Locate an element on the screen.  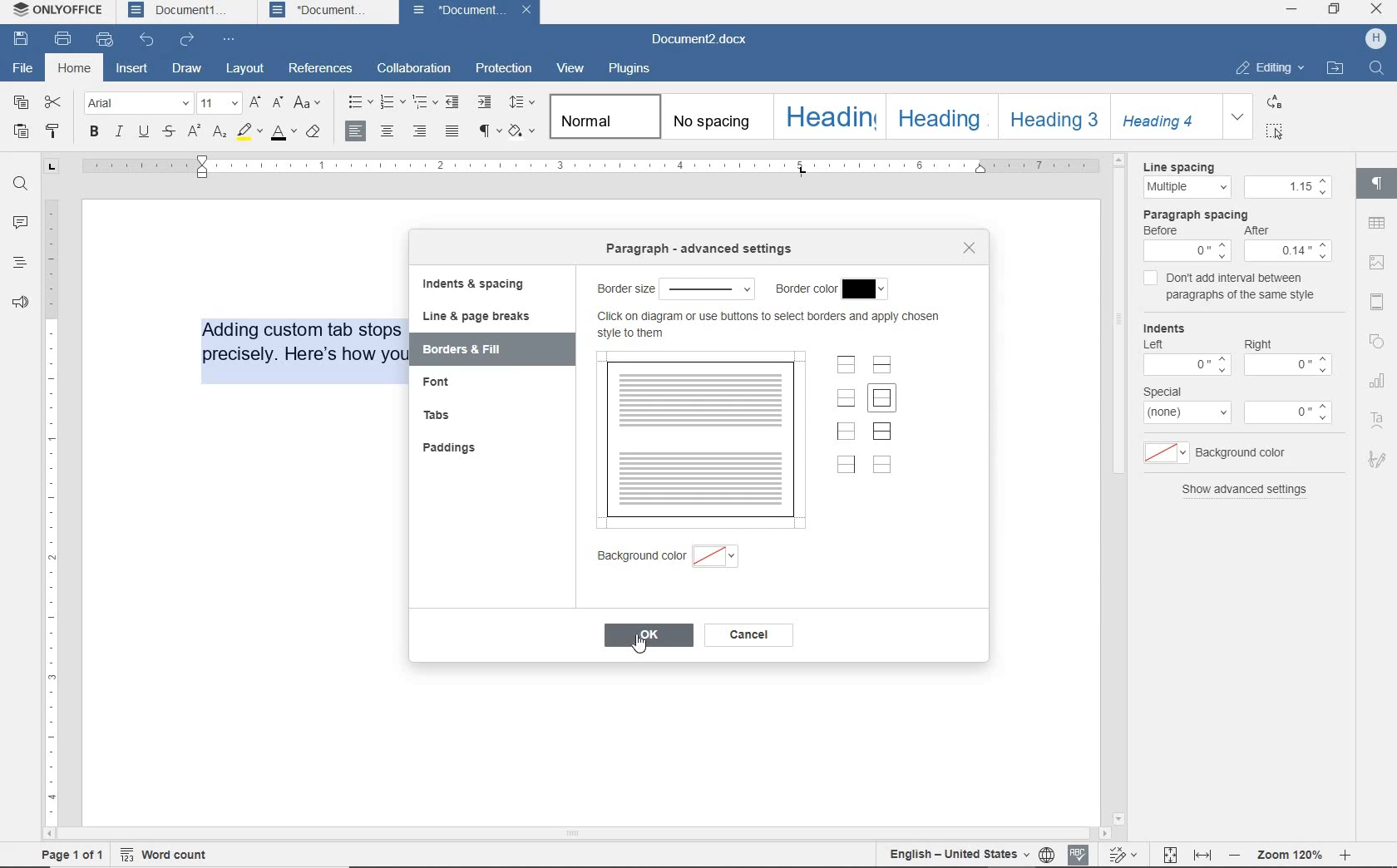
shape is located at coordinates (1380, 340).